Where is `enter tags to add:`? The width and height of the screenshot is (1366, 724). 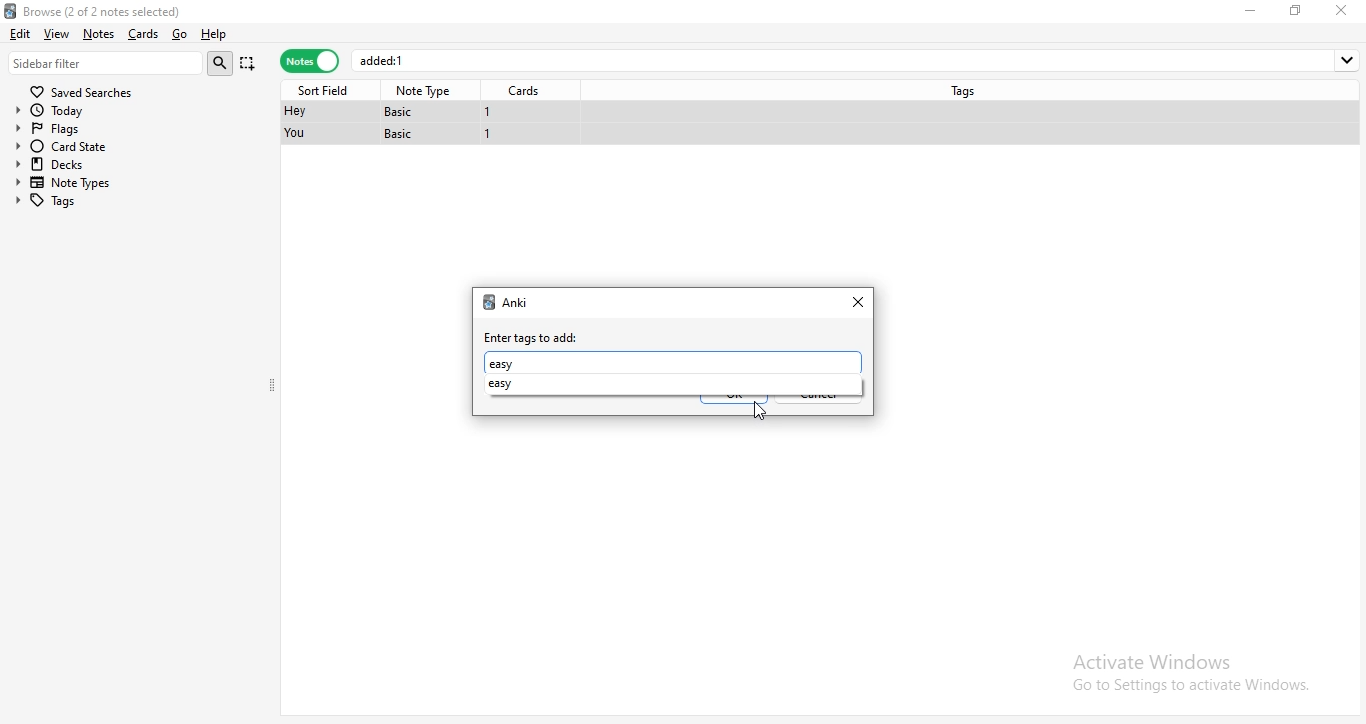 enter tags to add: is located at coordinates (533, 338).